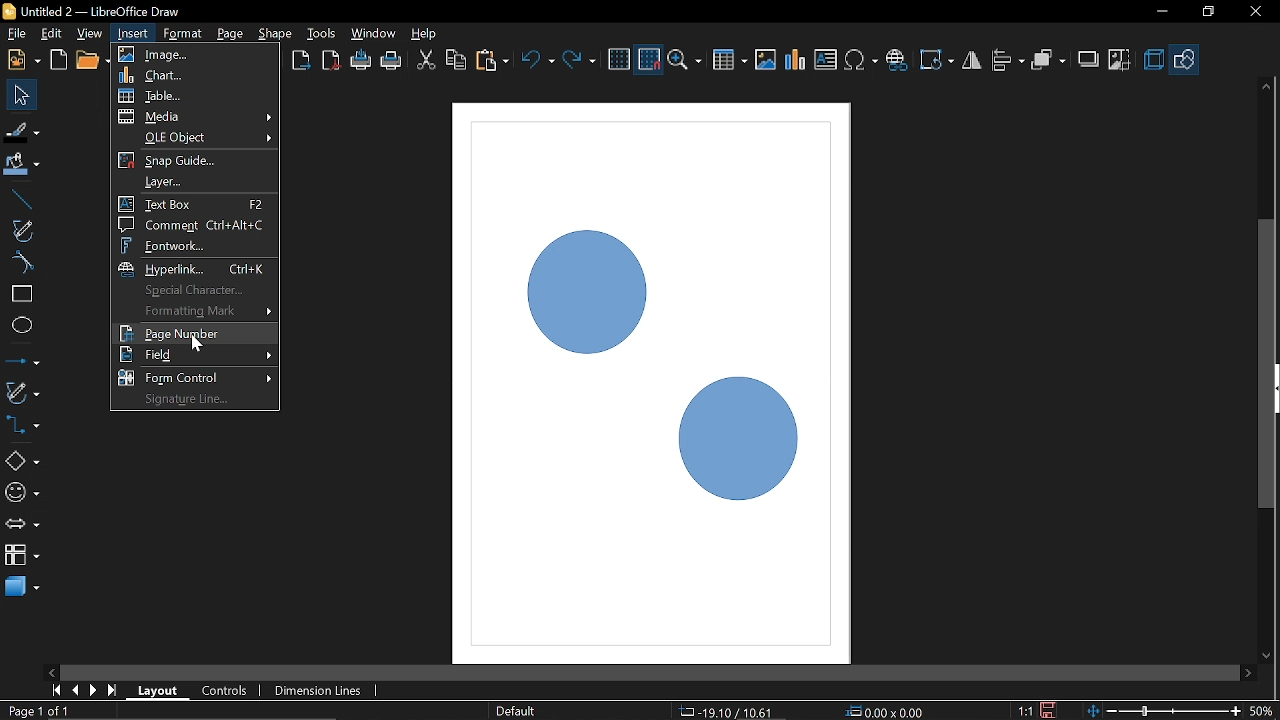  I want to click on Cut, so click(426, 62).